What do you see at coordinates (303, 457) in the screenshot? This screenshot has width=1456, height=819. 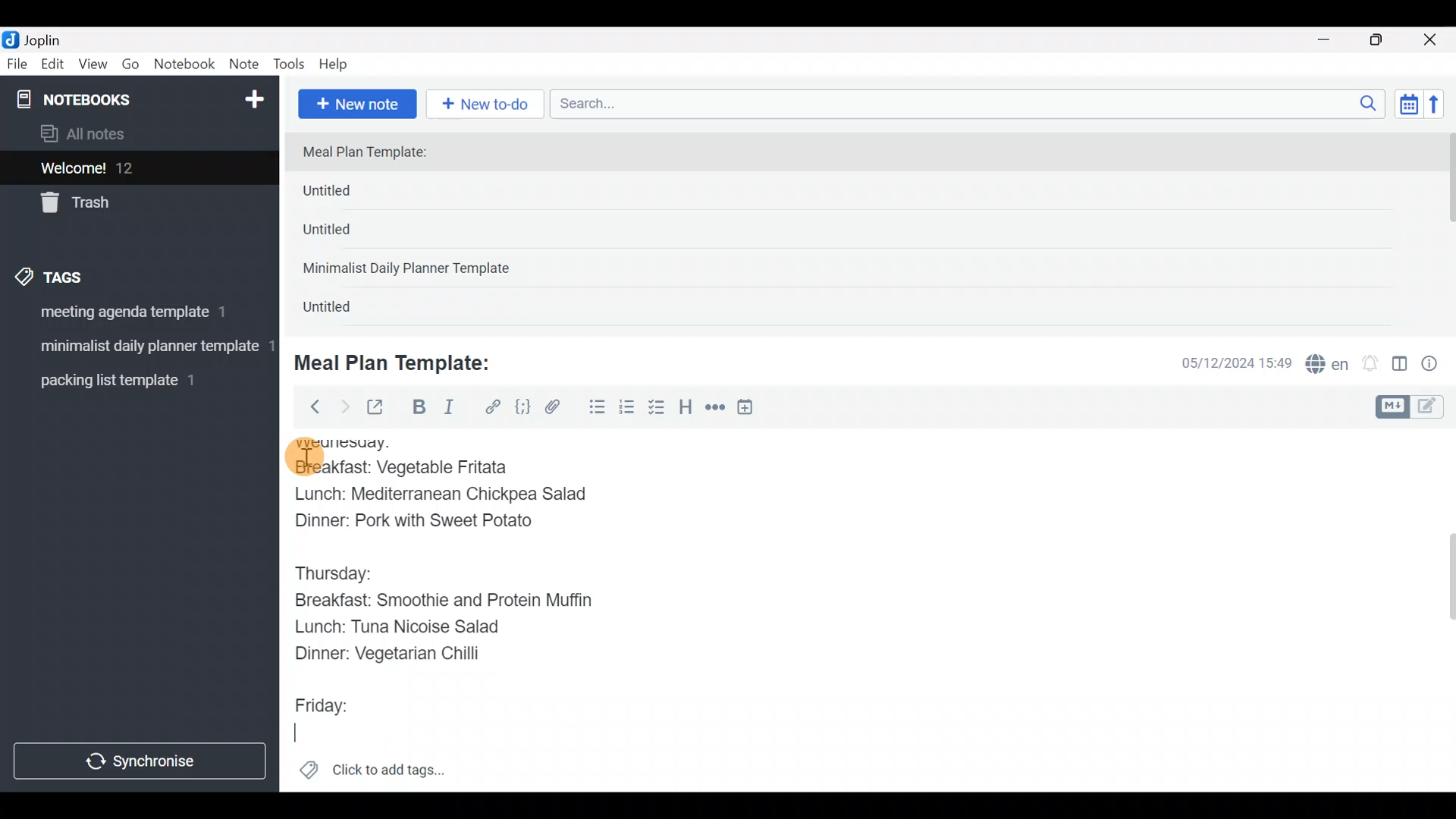 I see `cursor` at bounding box center [303, 457].